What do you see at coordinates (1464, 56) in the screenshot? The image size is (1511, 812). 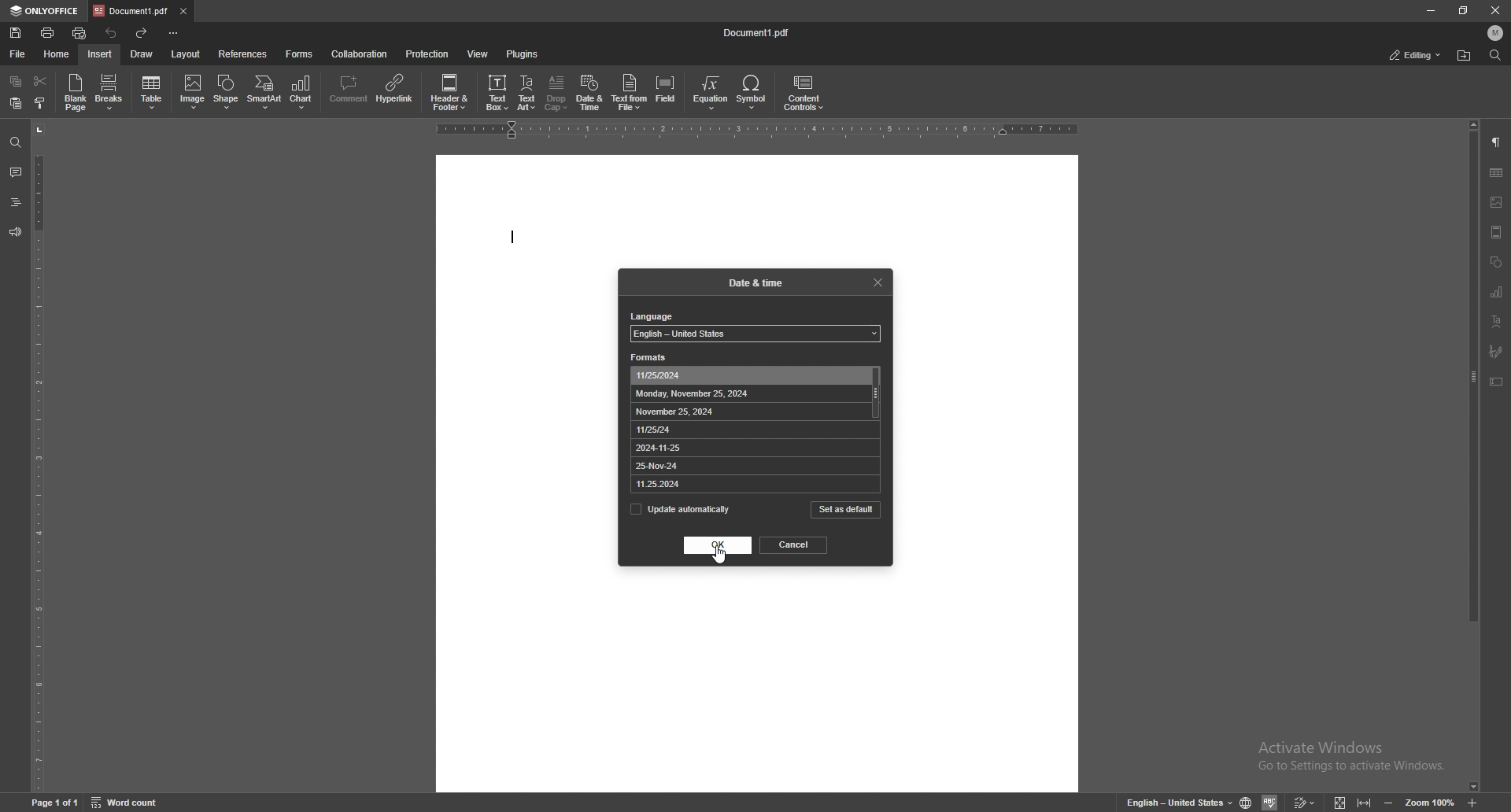 I see `find in folder` at bounding box center [1464, 56].